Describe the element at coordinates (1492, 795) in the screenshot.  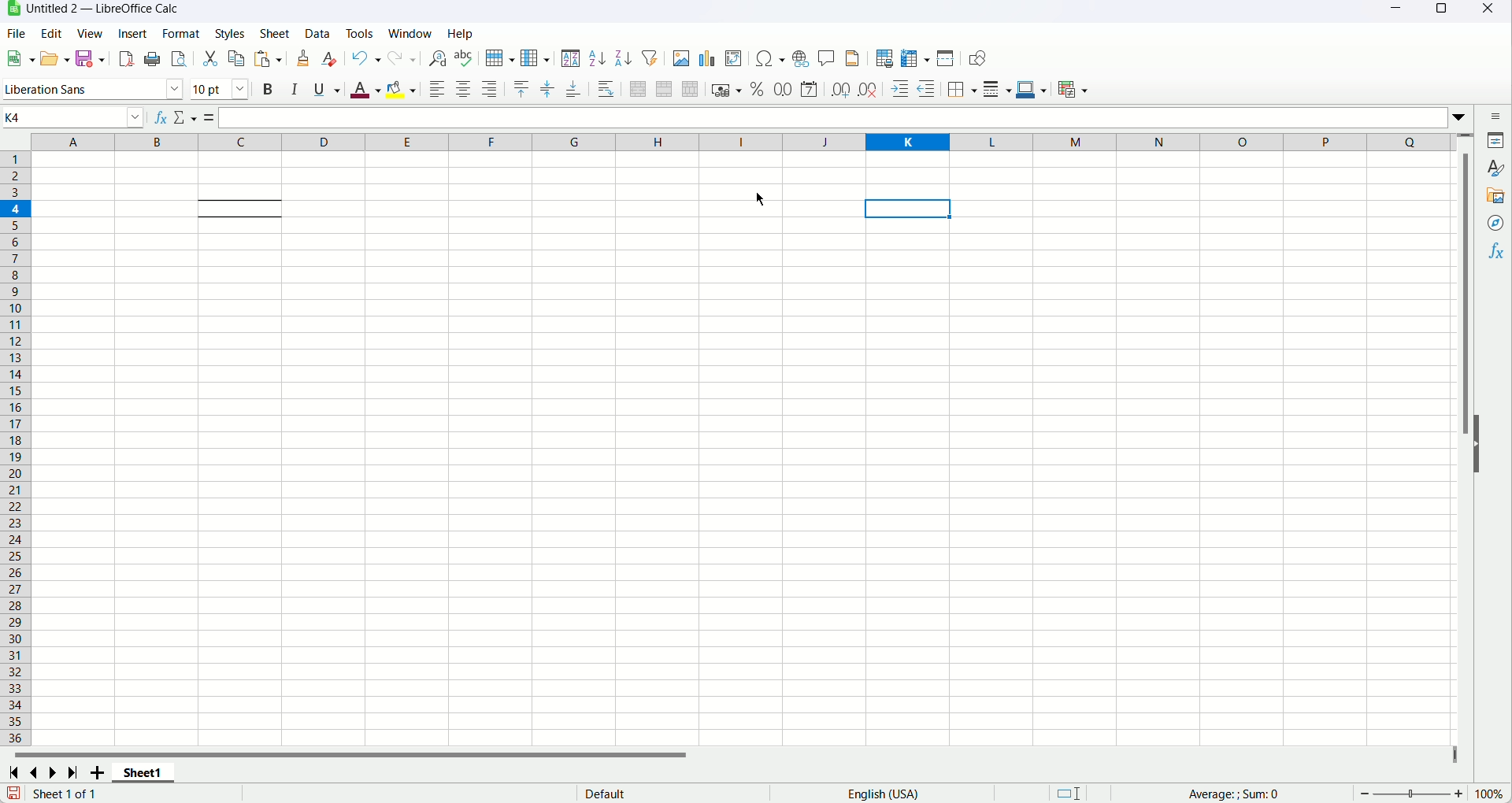
I see `Zoom factor` at that location.